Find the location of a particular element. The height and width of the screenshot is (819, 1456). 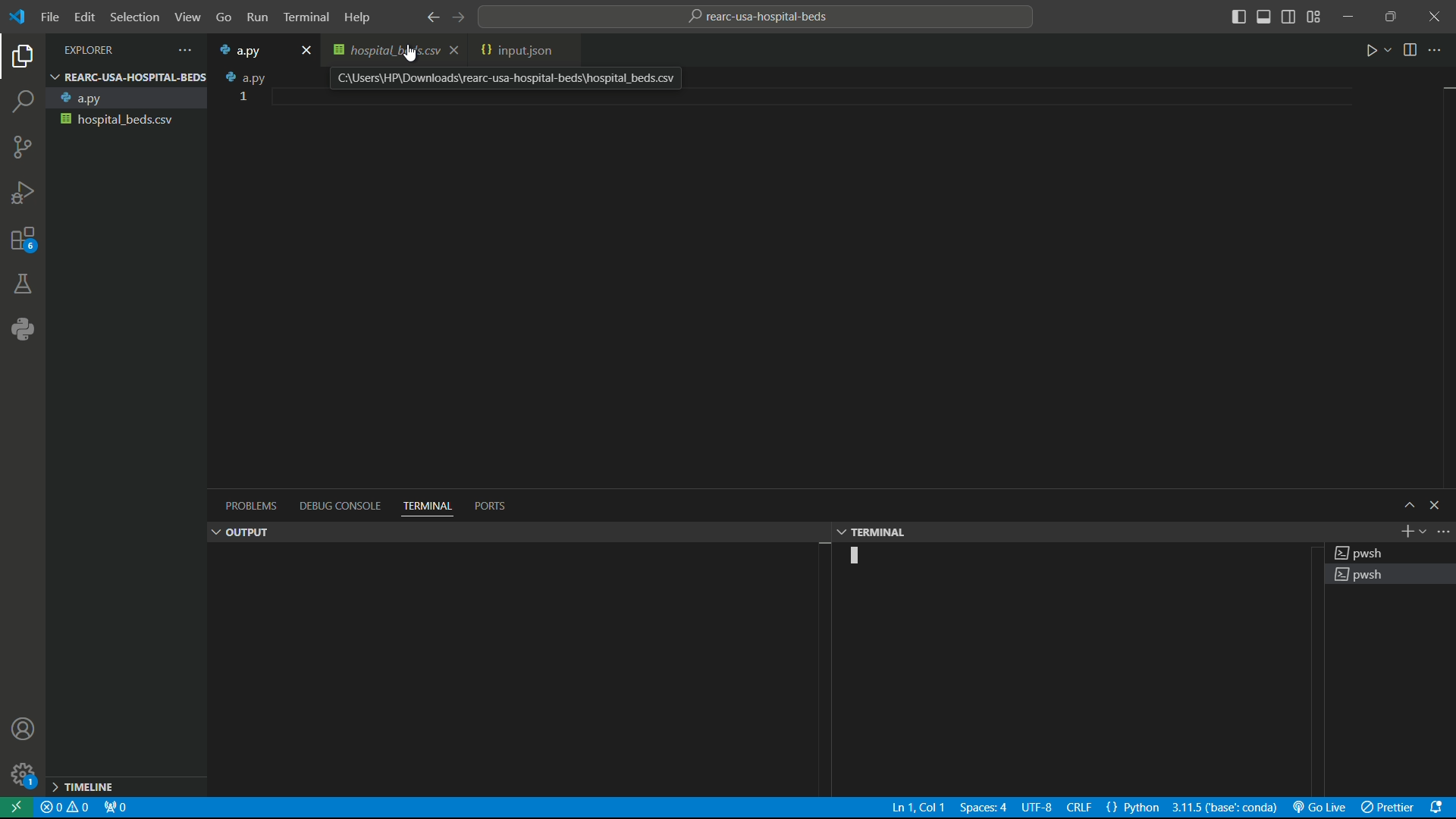

open a remote window is located at coordinates (18, 808).